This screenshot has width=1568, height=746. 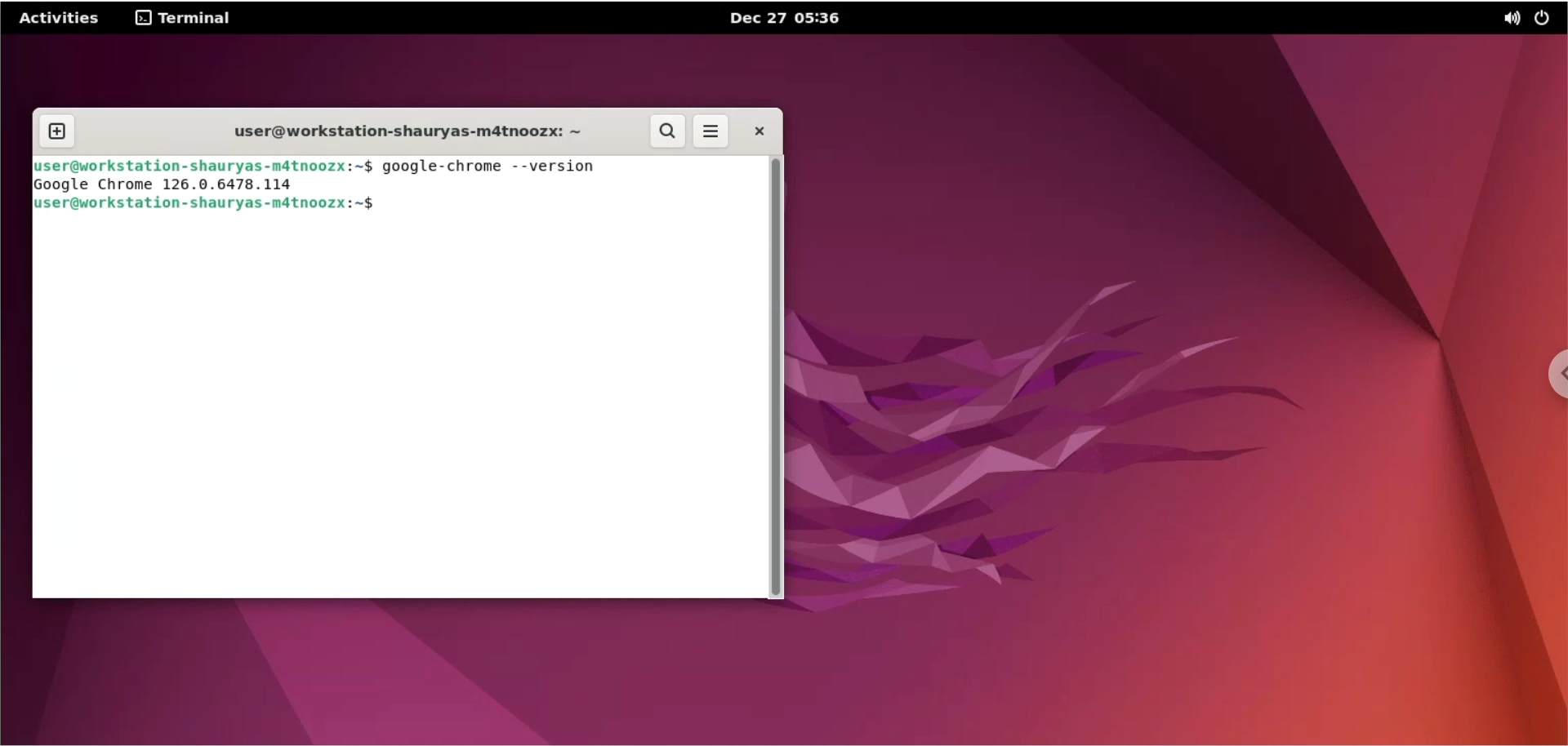 I want to click on sound options, so click(x=1511, y=20).